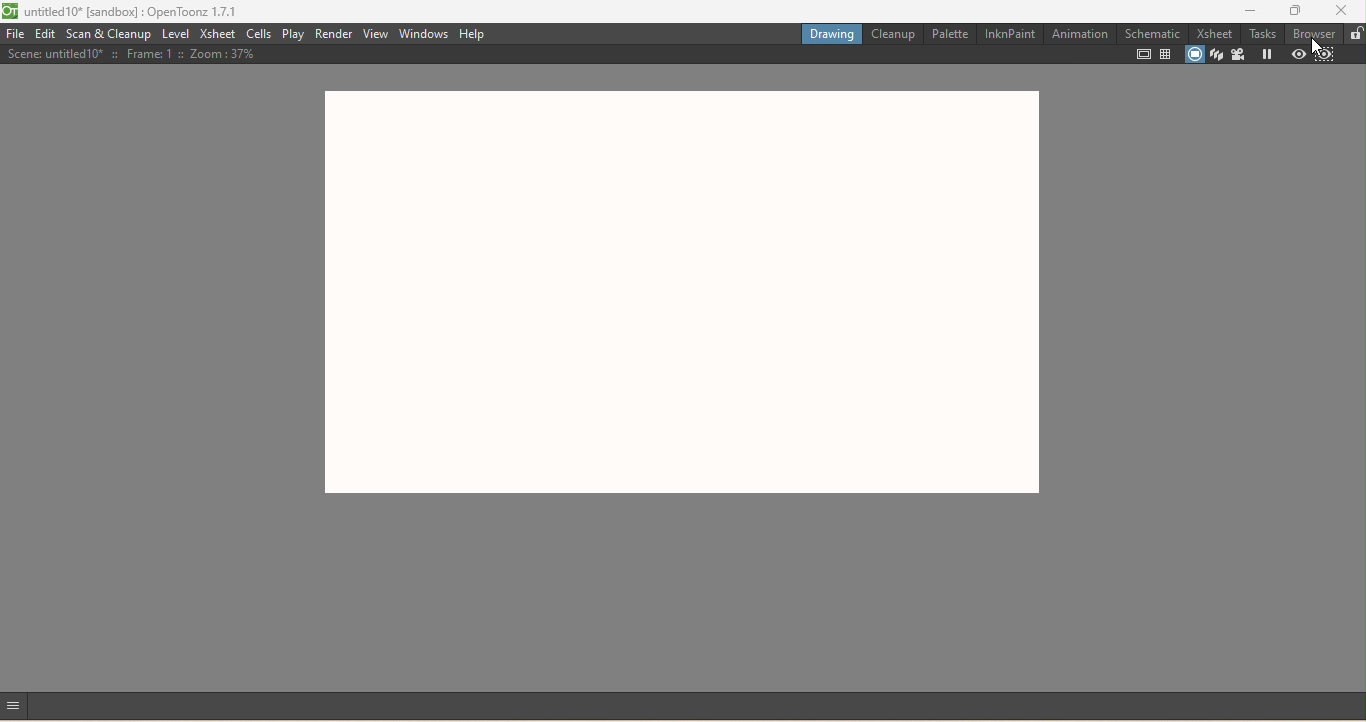 The image size is (1366, 722). What do you see at coordinates (46, 33) in the screenshot?
I see `Edit` at bounding box center [46, 33].